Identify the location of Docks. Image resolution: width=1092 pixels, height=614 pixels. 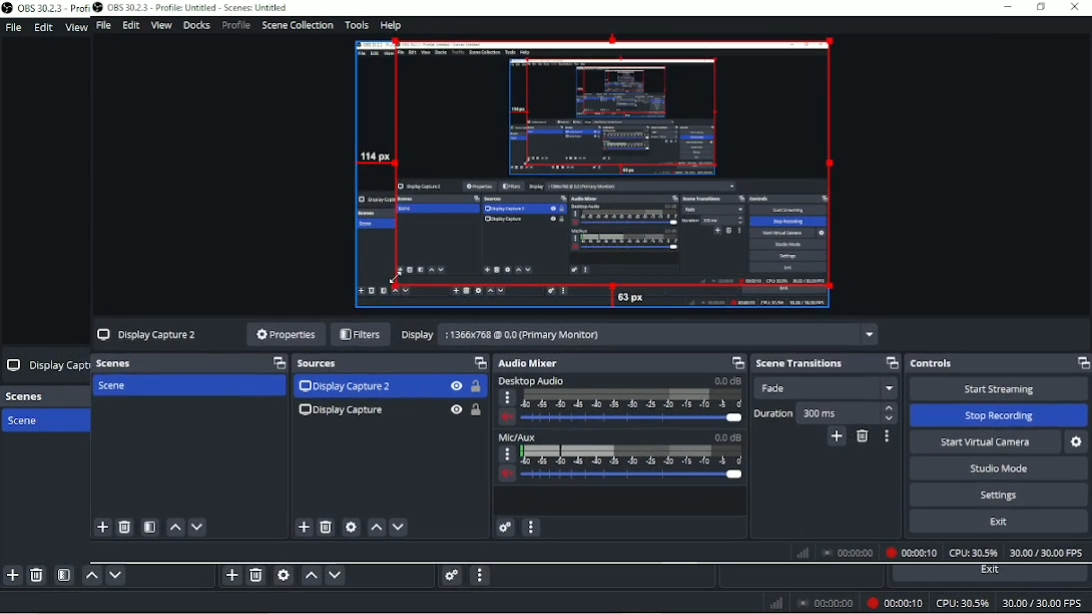
(198, 26).